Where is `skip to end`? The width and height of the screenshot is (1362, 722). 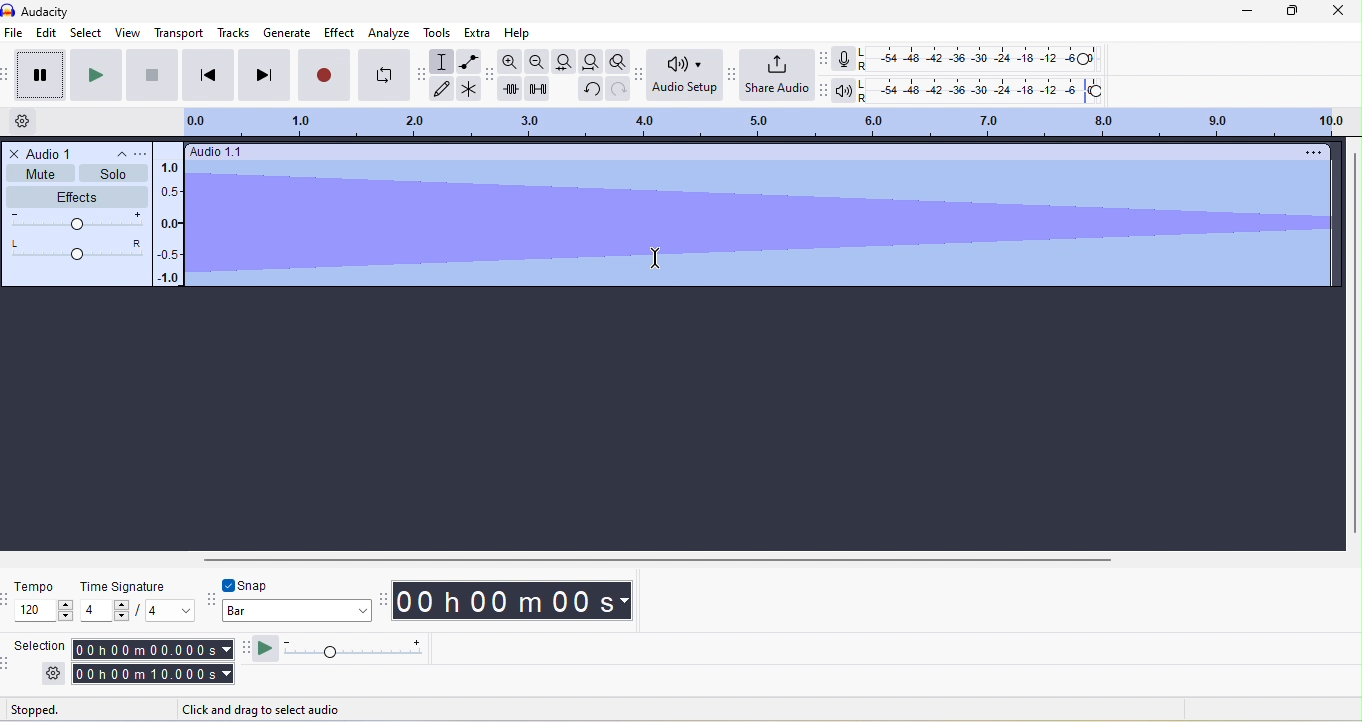
skip to end is located at coordinates (263, 76).